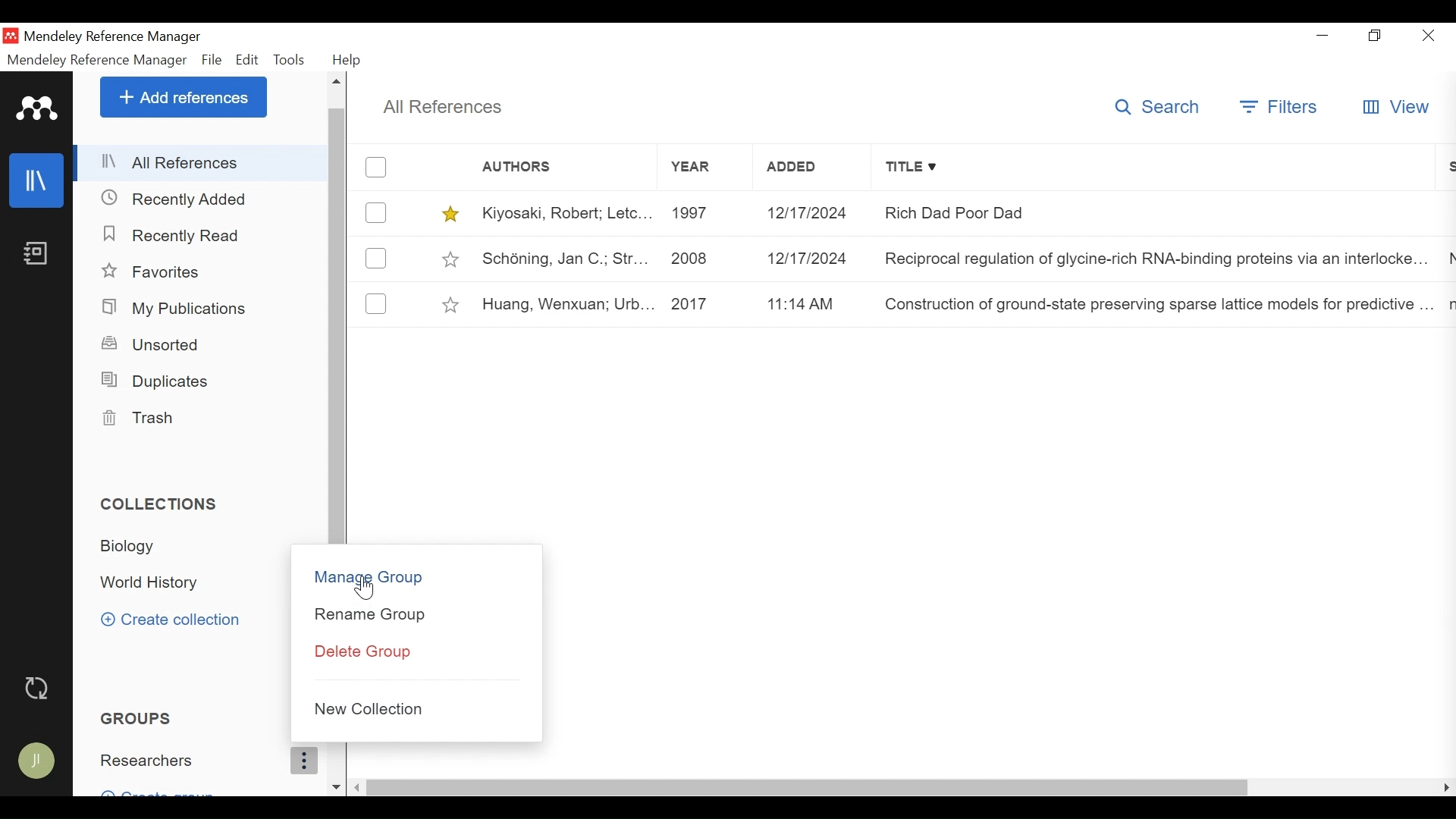 The height and width of the screenshot is (819, 1456). Describe the element at coordinates (360, 786) in the screenshot. I see `Scroll Left` at that location.